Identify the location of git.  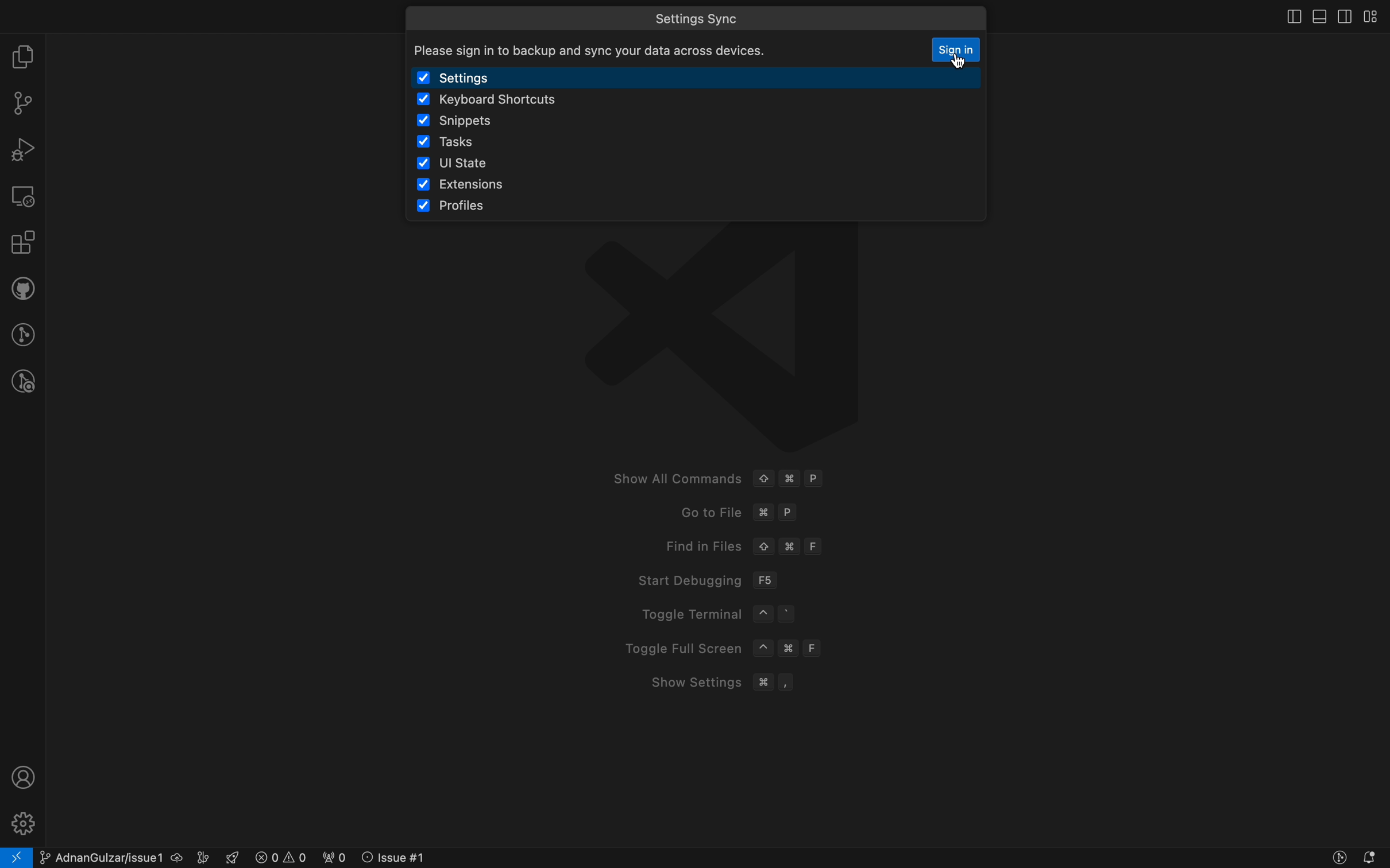
(22, 102).